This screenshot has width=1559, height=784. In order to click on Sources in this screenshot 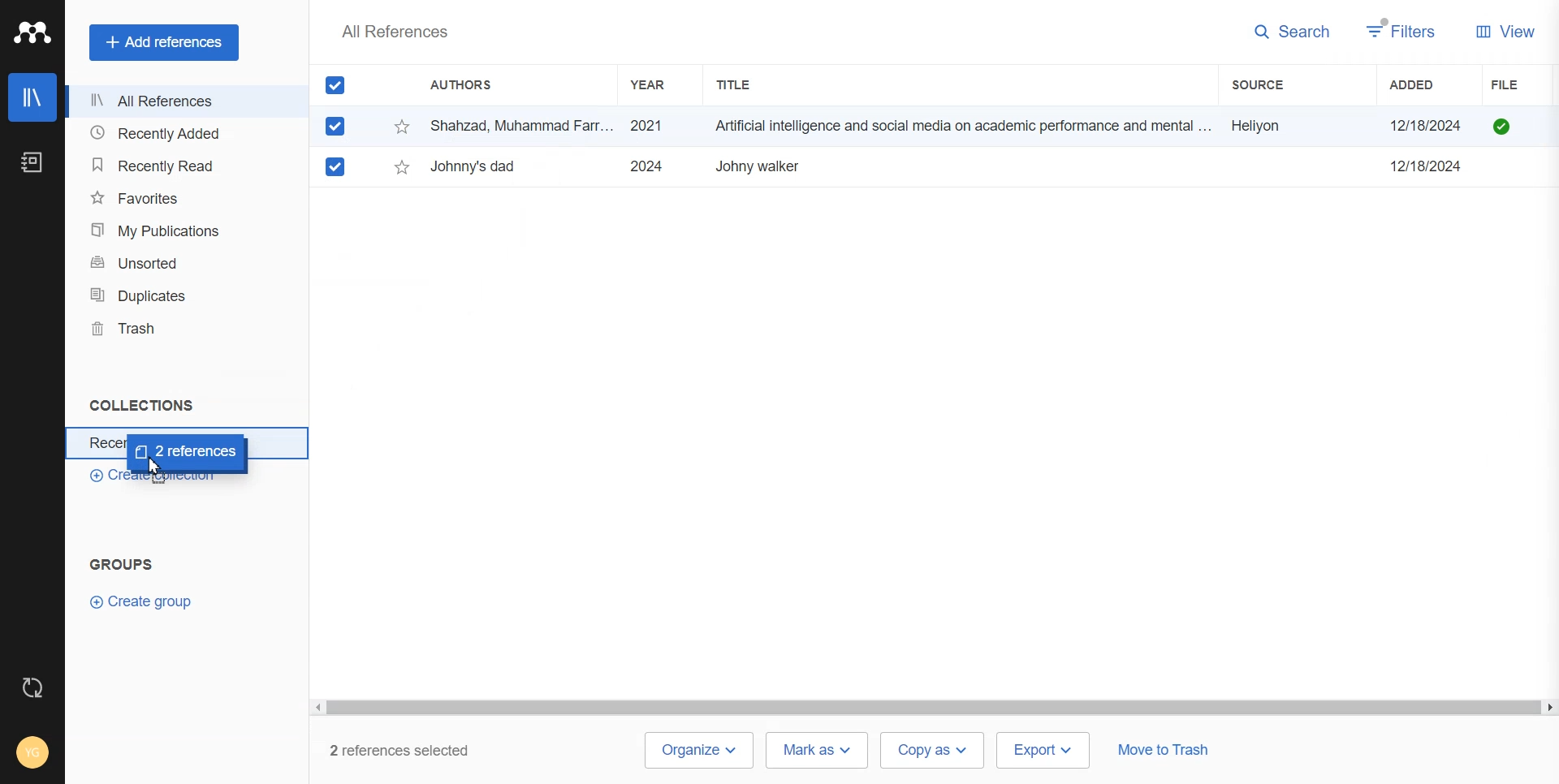, I will do `click(1276, 84)`.